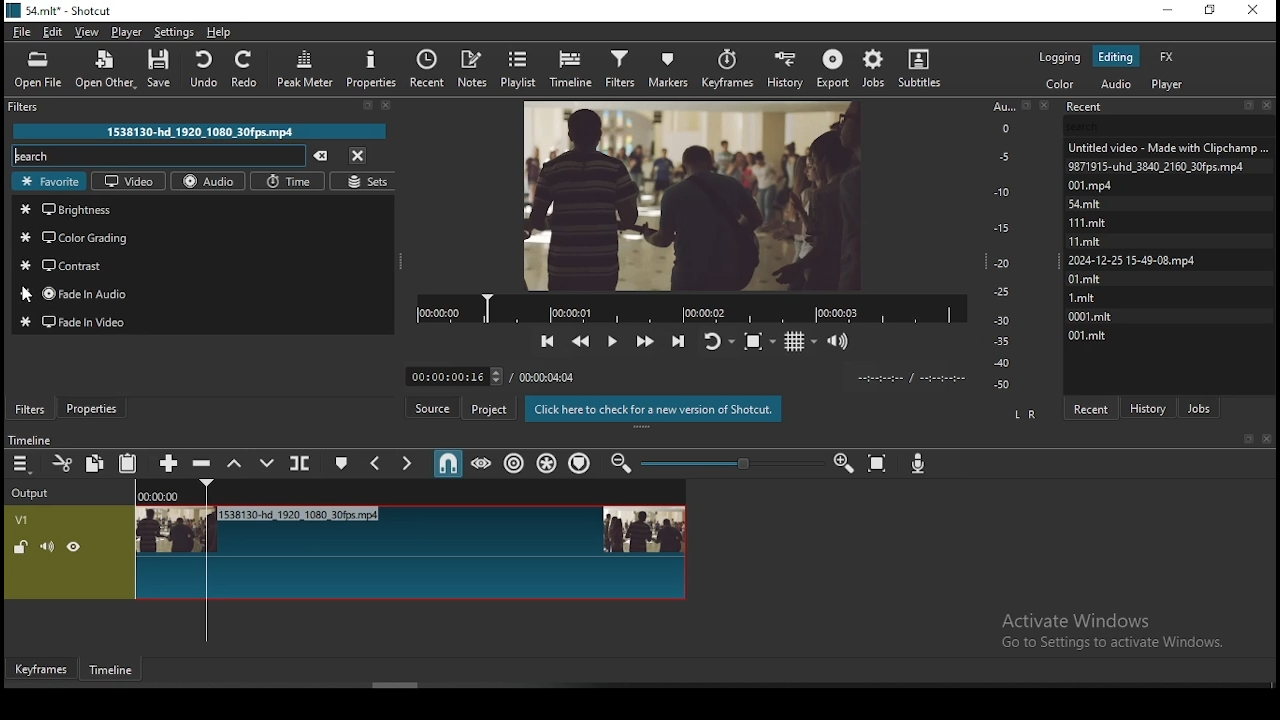  What do you see at coordinates (549, 464) in the screenshot?
I see `ripple all tracks` at bounding box center [549, 464].